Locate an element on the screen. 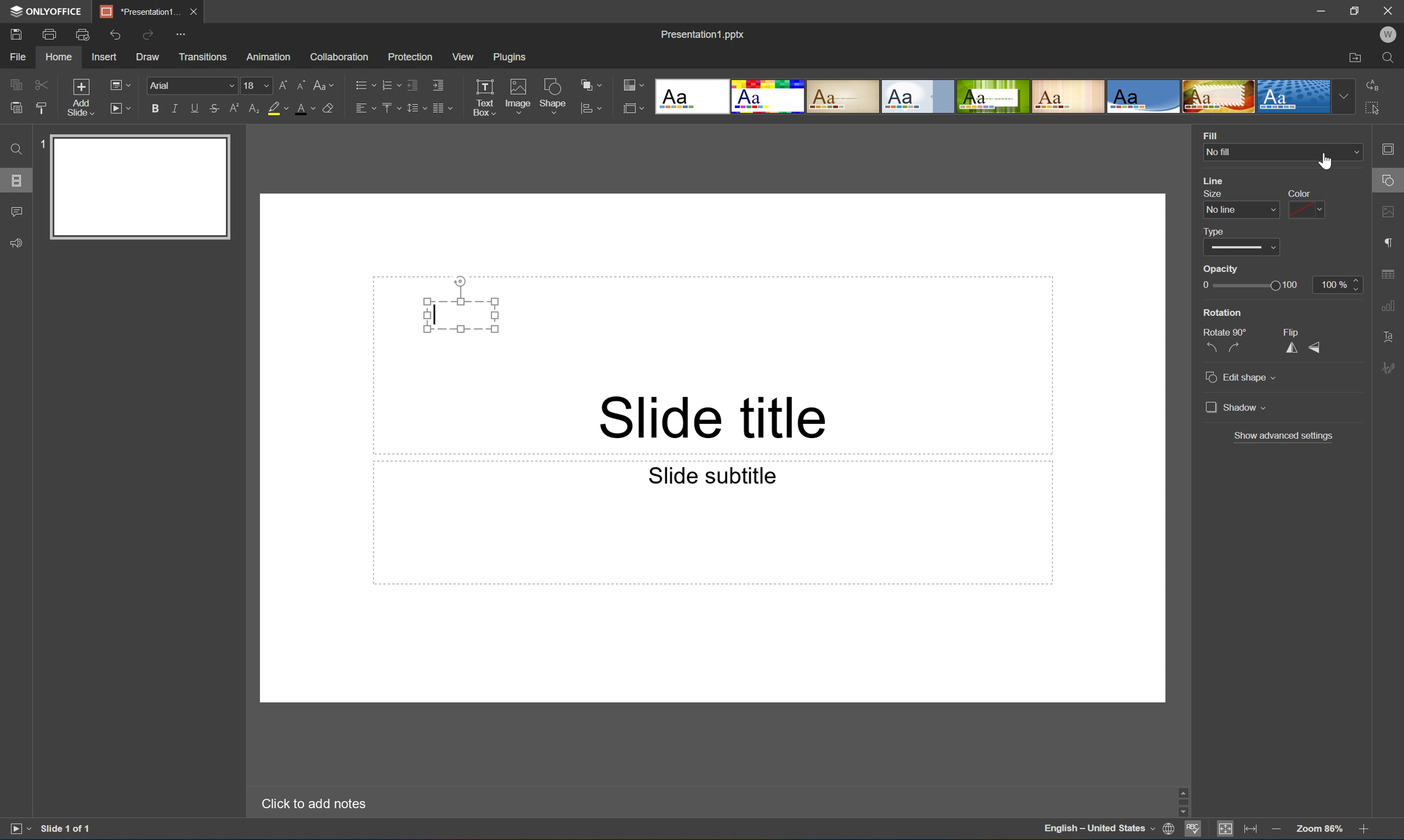  No line is located at coordinates (1221, 211).